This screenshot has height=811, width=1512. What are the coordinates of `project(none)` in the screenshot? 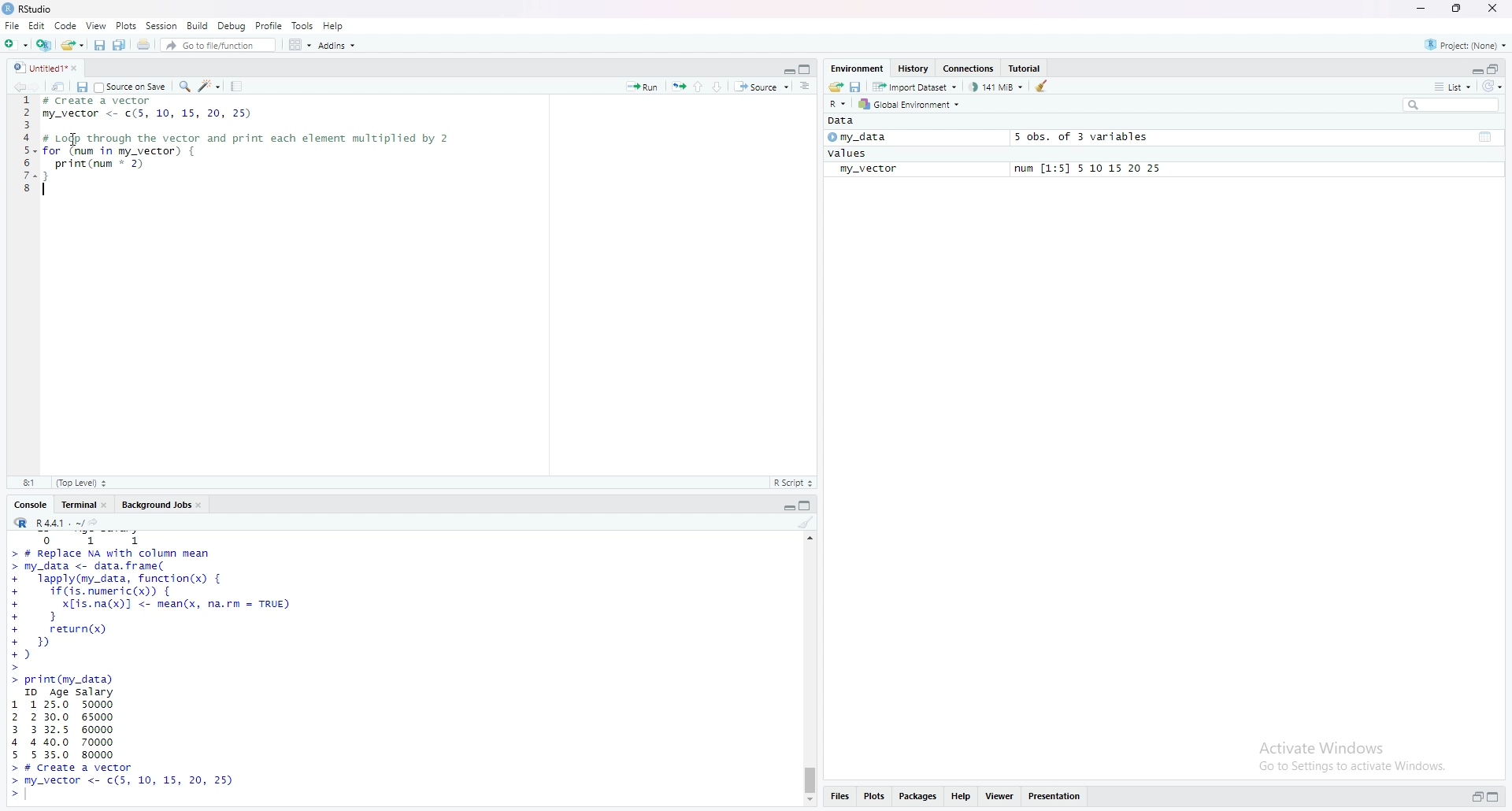 It's located at (1461, 45).